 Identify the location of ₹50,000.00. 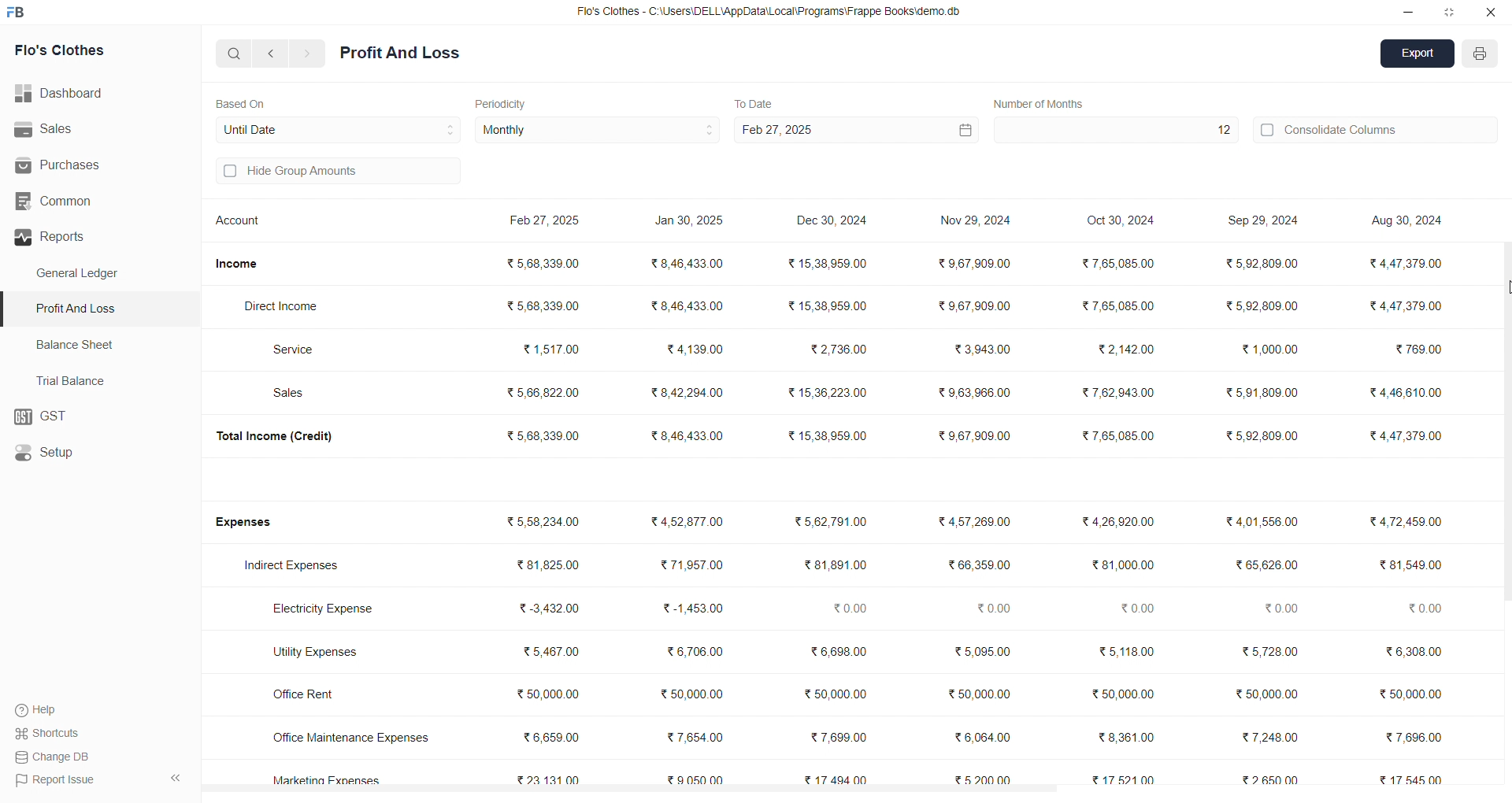
(550, 693).